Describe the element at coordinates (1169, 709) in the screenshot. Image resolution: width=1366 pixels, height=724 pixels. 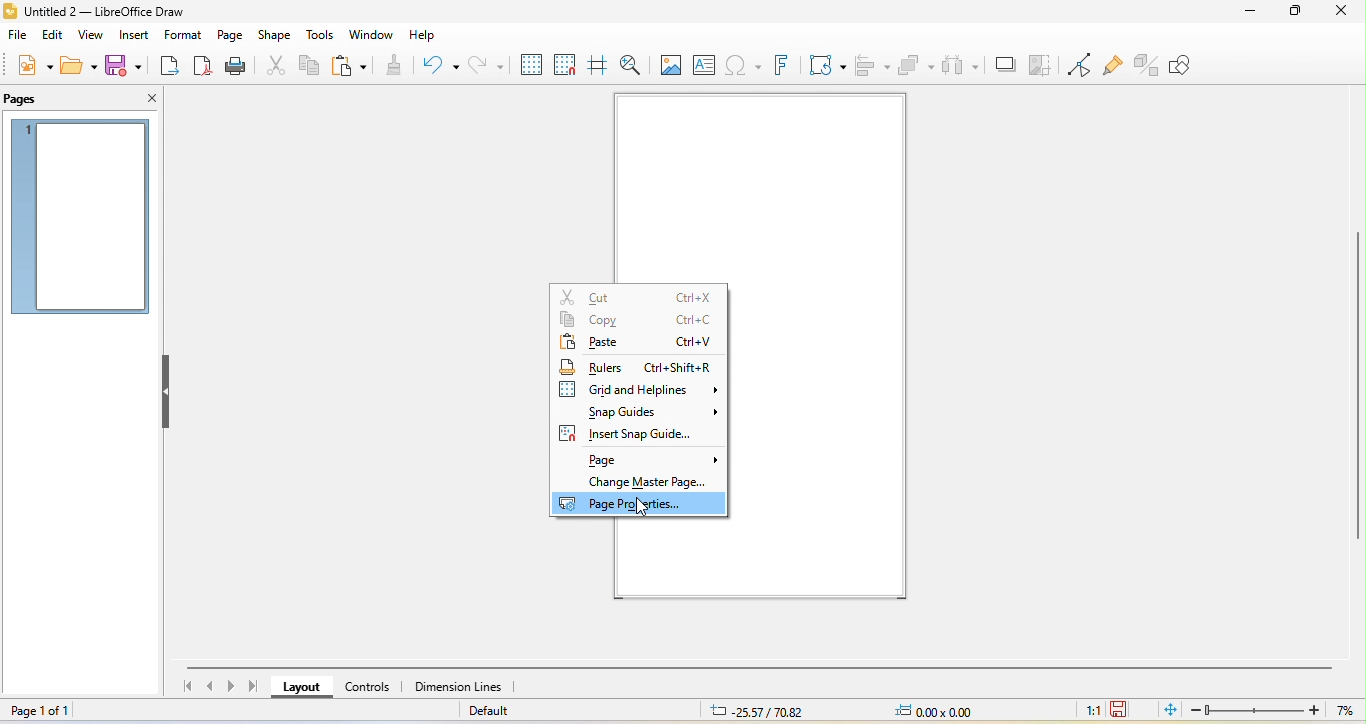
I see `fit page to current window` at that location.